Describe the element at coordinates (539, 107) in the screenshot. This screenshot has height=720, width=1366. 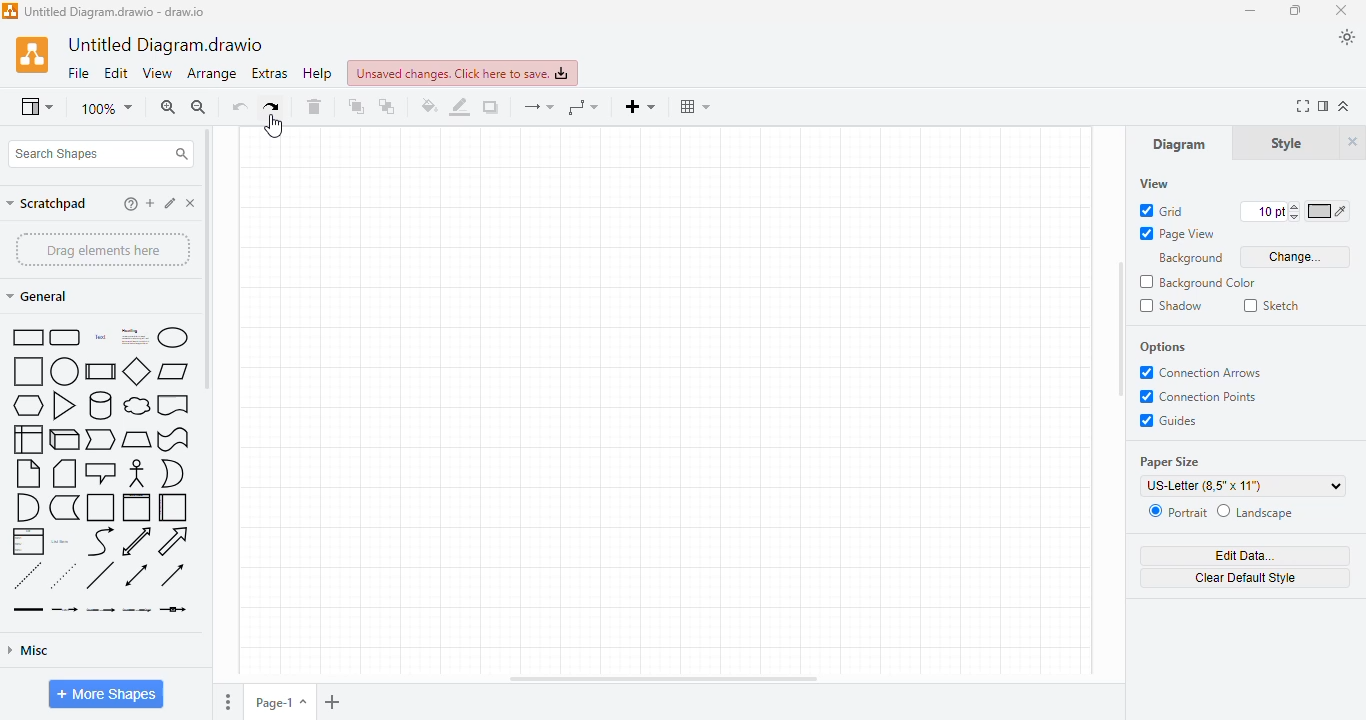
I see `connections` at that location.